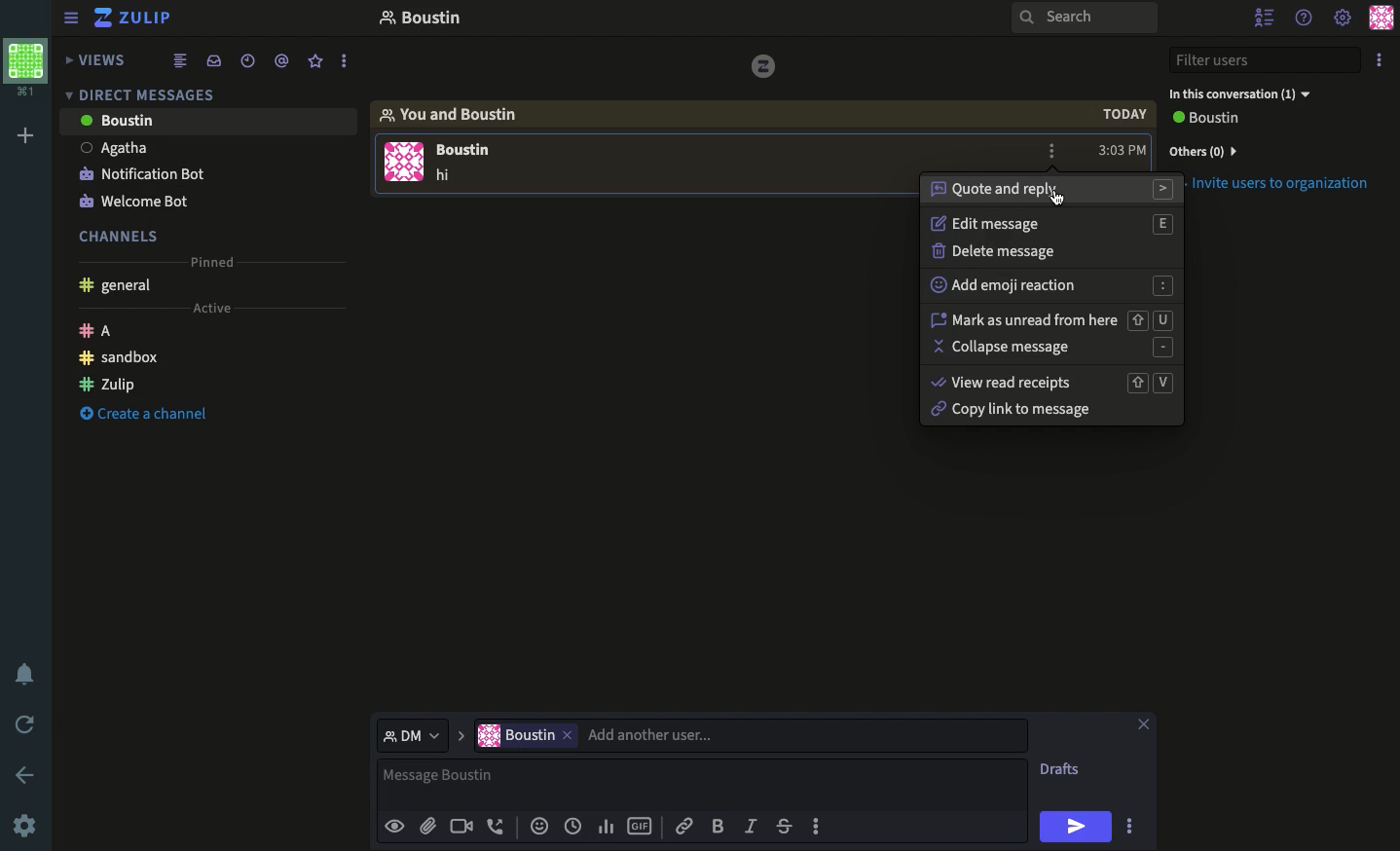 The width and height of the screenshot is (1400, 851). I want to click on Pinned, so click(215, 261).